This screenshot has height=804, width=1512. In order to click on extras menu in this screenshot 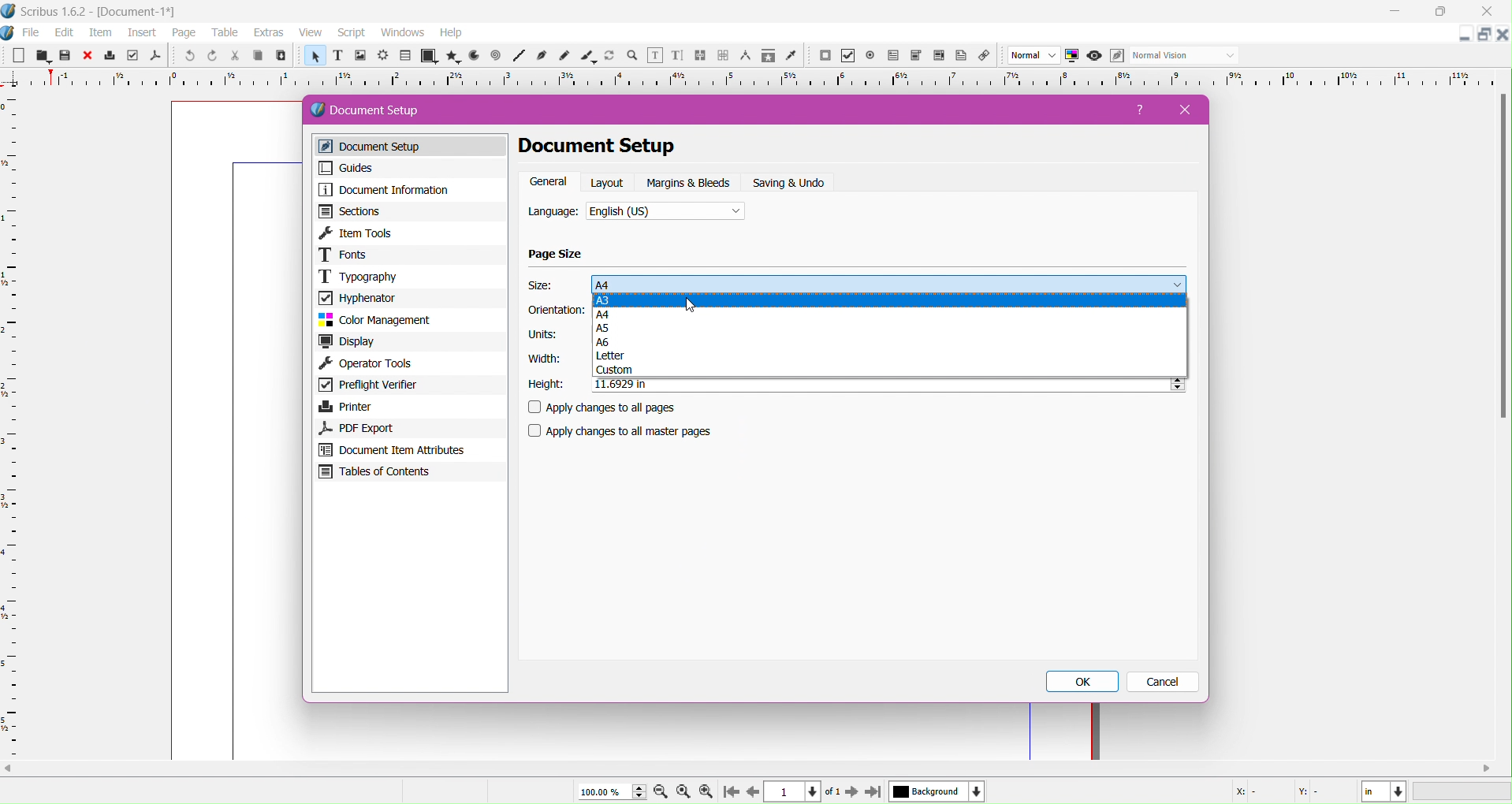, I will do `click(270, 33)`.